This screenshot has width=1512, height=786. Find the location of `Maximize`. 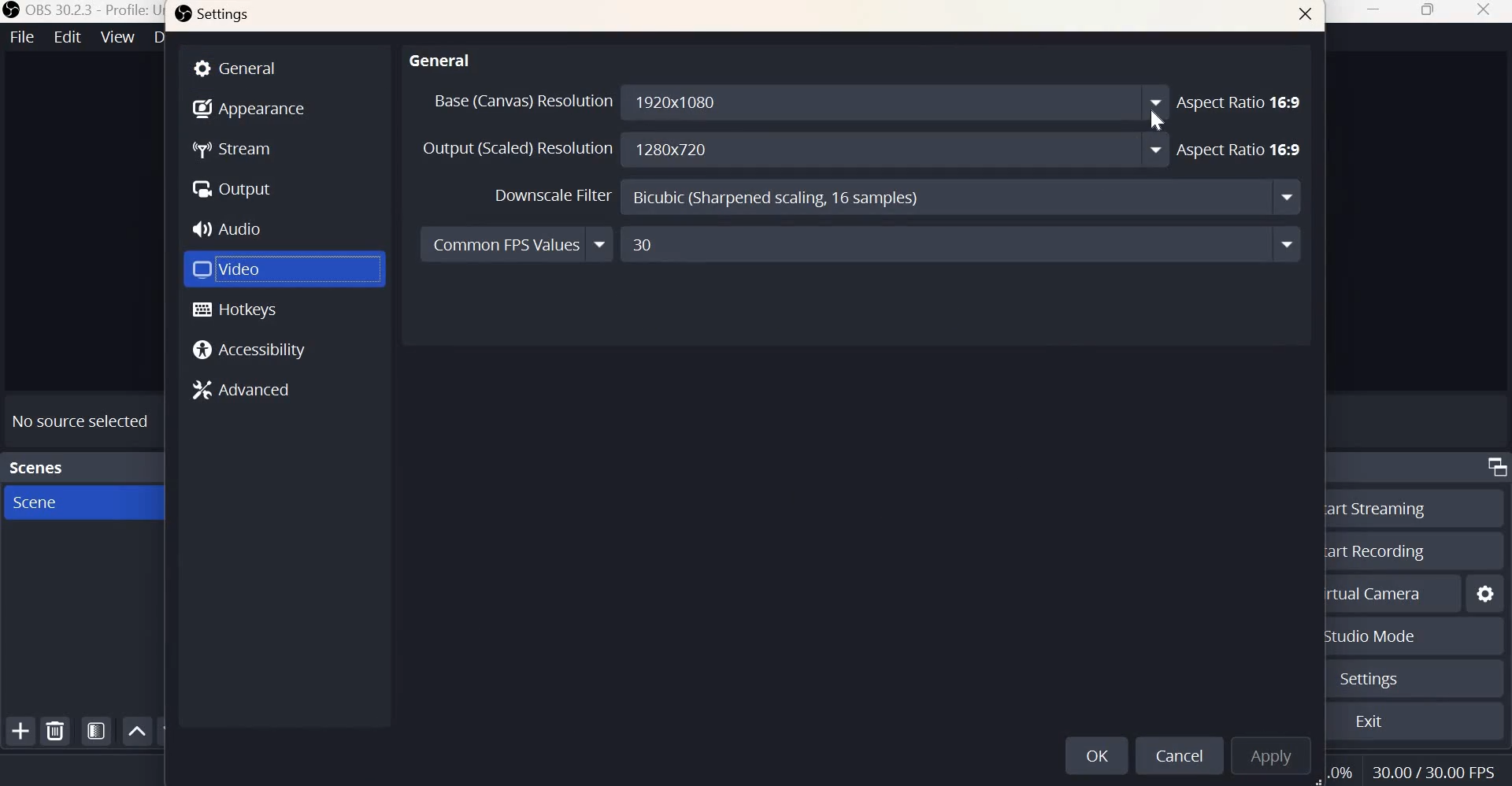

Maximize is located at coordinates (1429, 13).